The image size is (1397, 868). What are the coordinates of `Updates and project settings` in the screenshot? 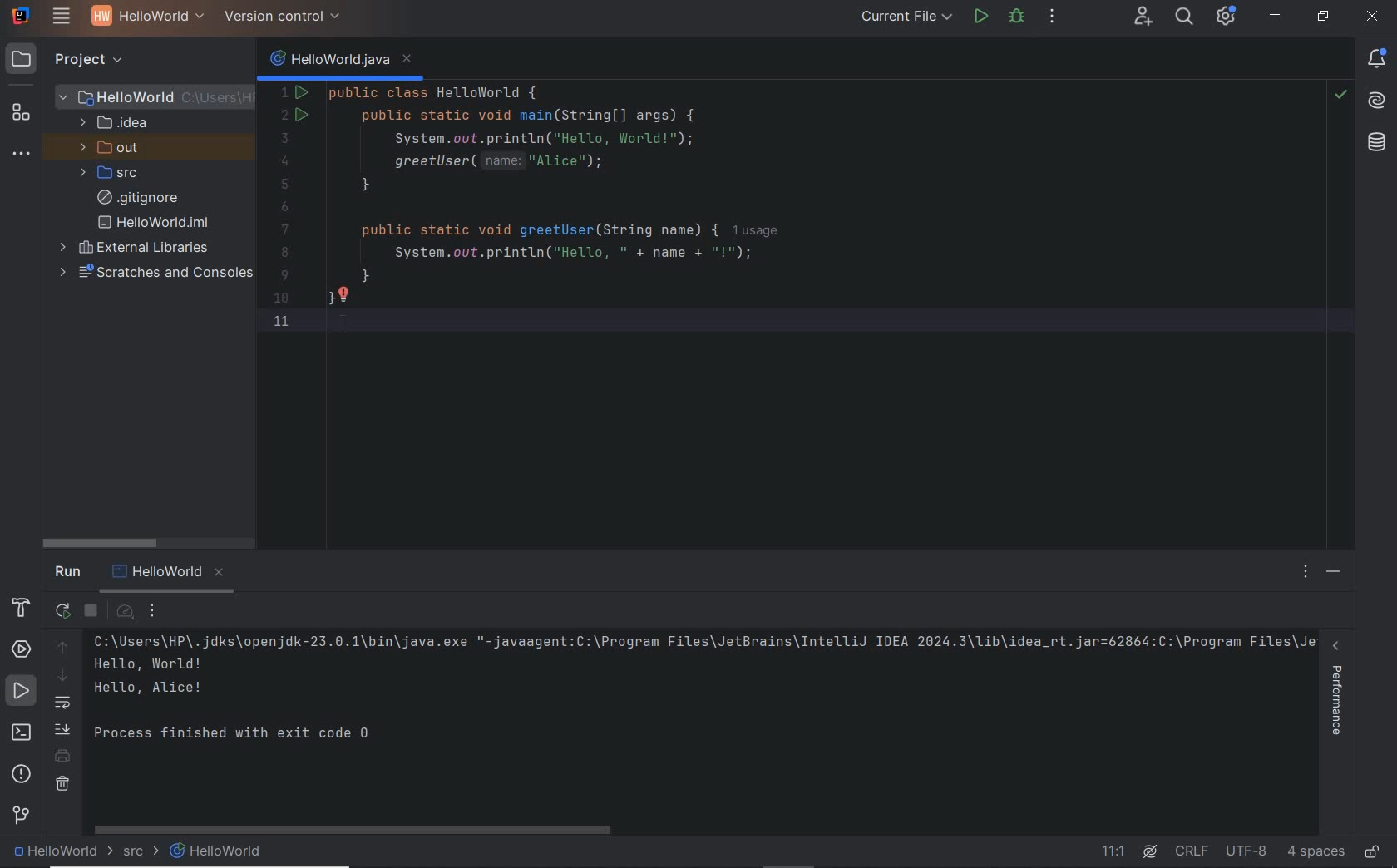 It's located at (1227, 18).